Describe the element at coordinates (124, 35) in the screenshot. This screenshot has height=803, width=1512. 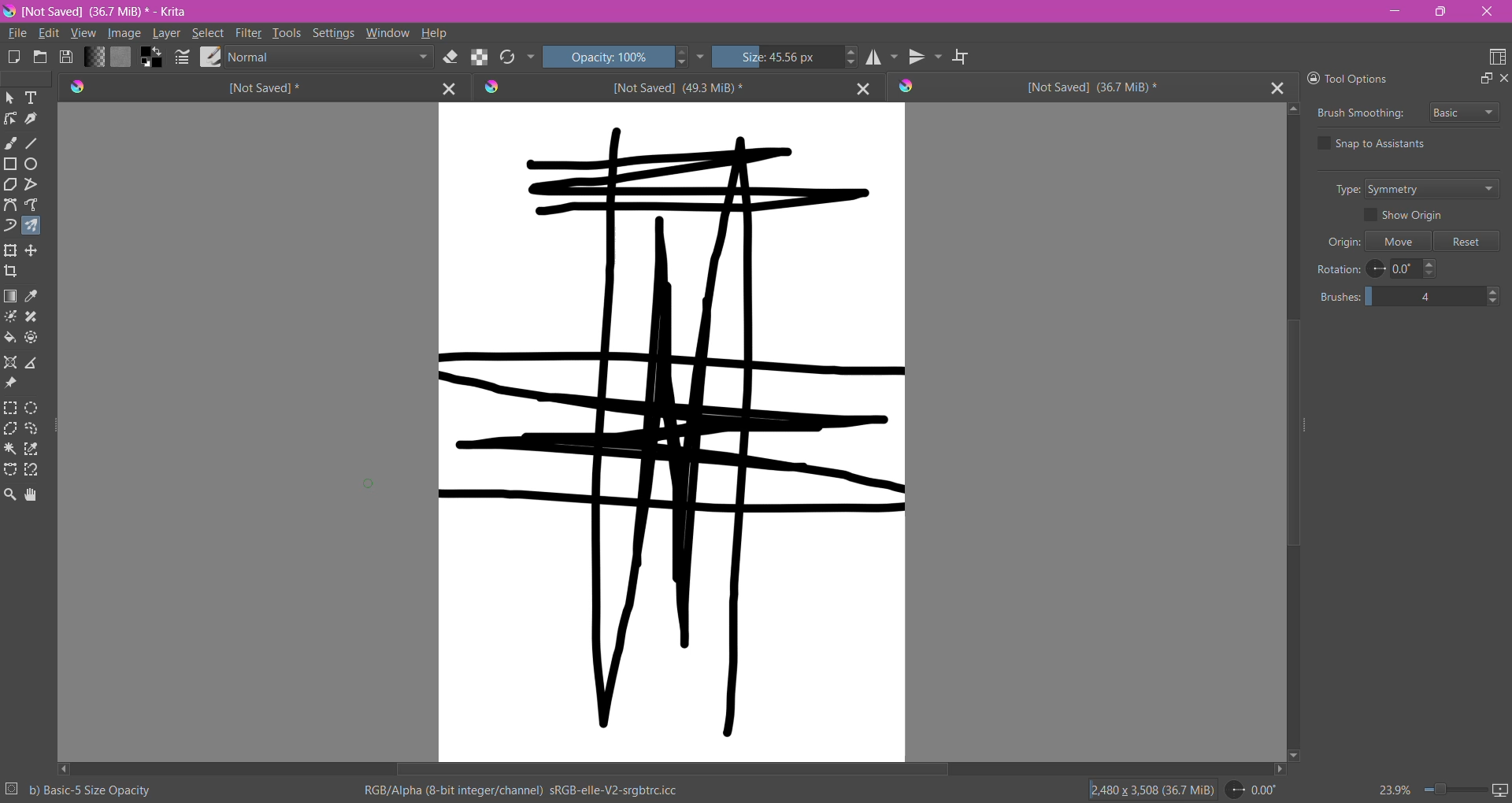
I see `Image` at that location.